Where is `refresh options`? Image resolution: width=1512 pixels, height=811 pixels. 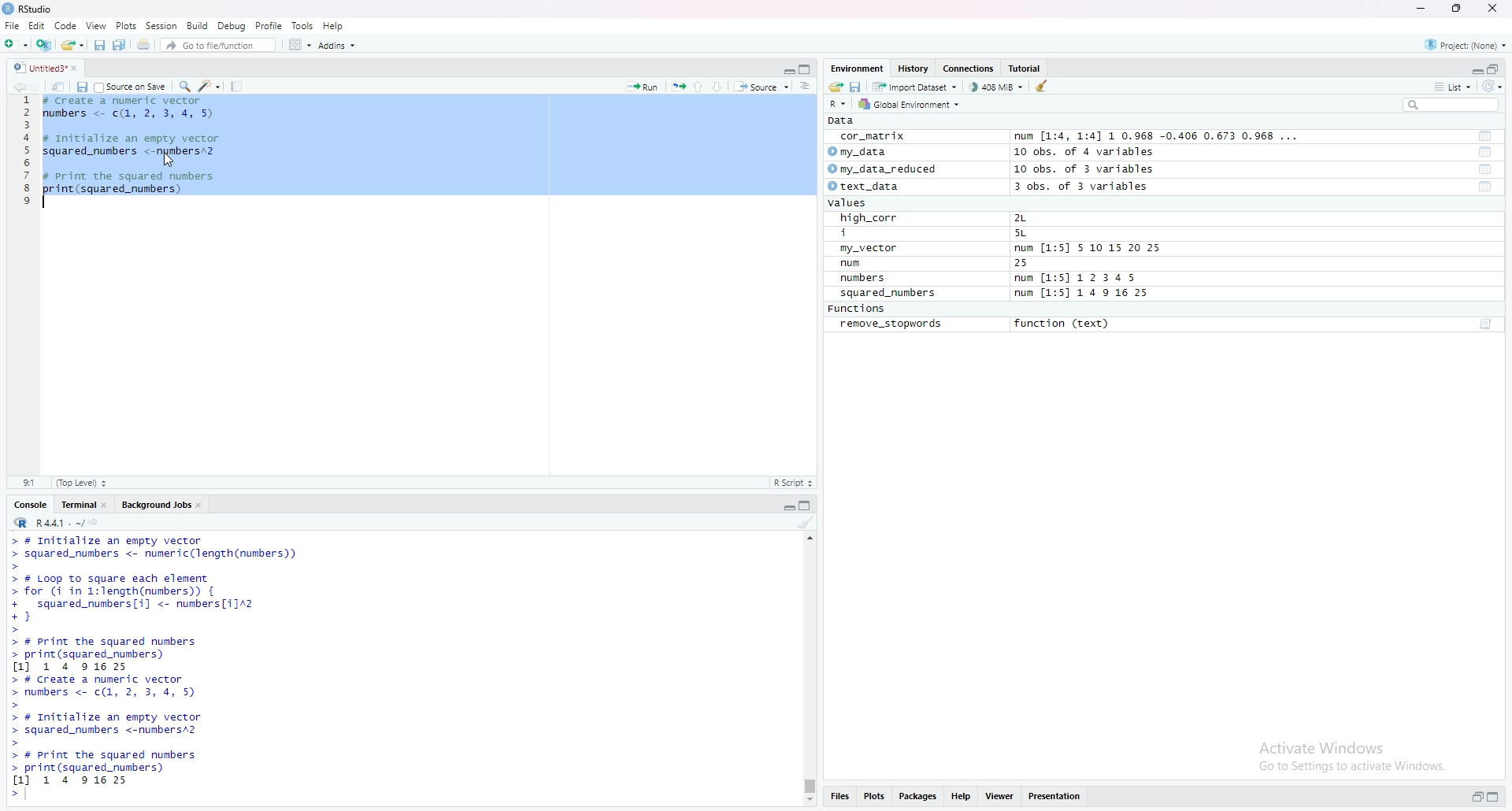
refresh options is located at coordinates (1492, 87).